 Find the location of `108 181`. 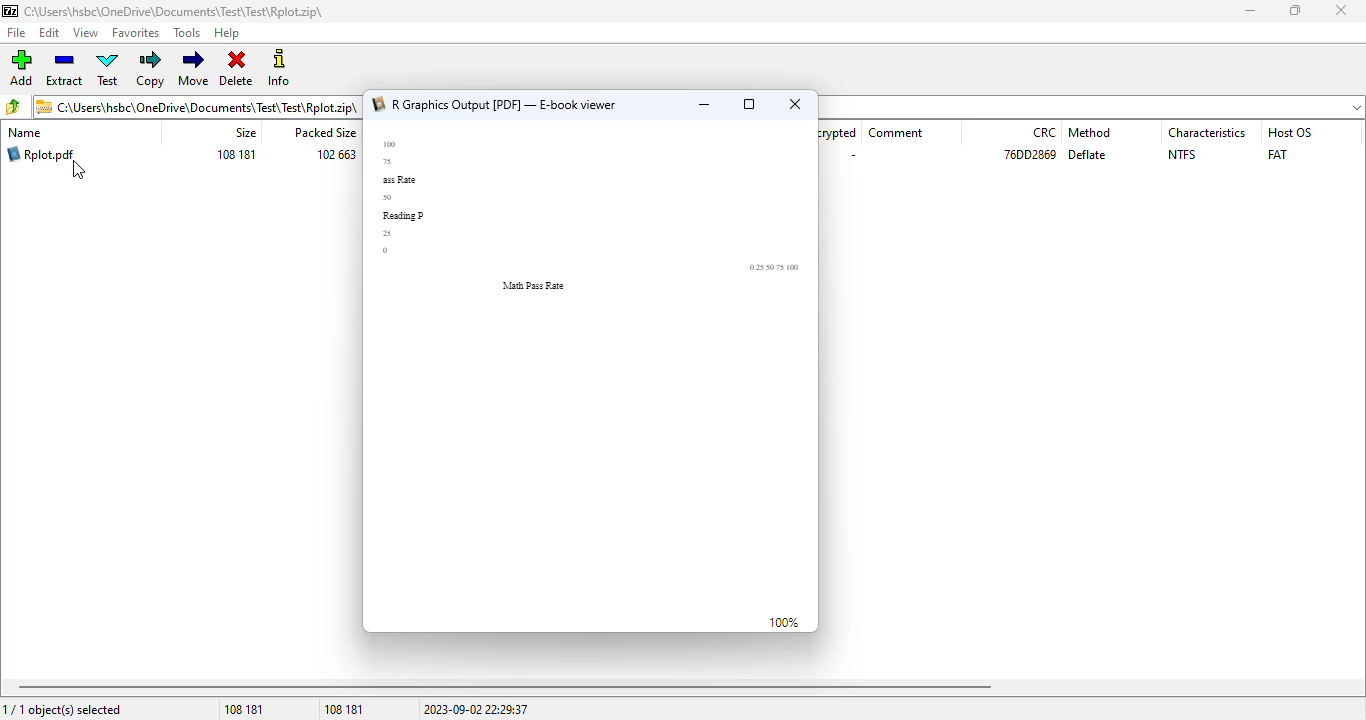

108 181 is located at coordinates (243, 710).